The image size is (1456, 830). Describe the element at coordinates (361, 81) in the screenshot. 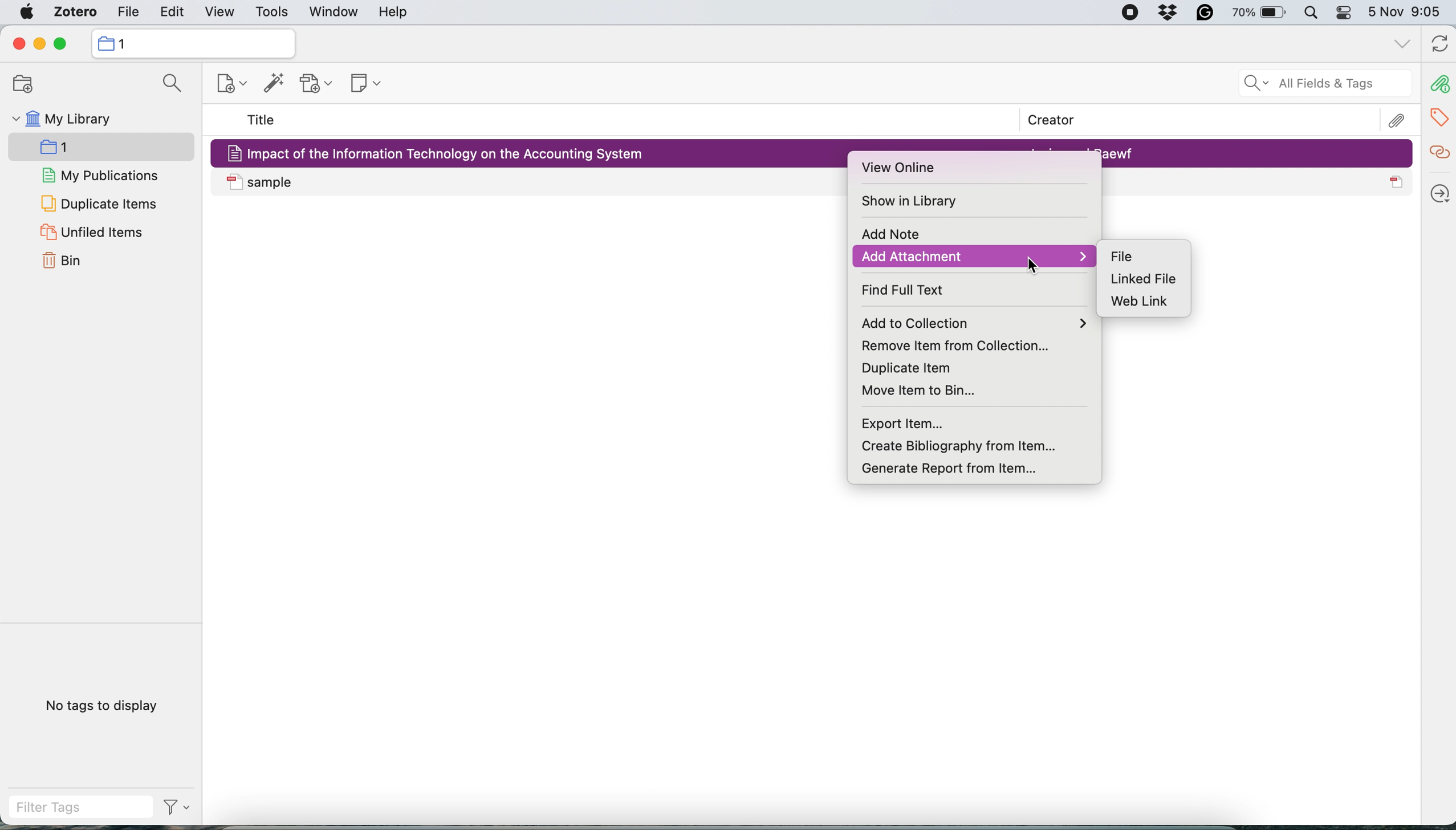

I see `new note` at that location.